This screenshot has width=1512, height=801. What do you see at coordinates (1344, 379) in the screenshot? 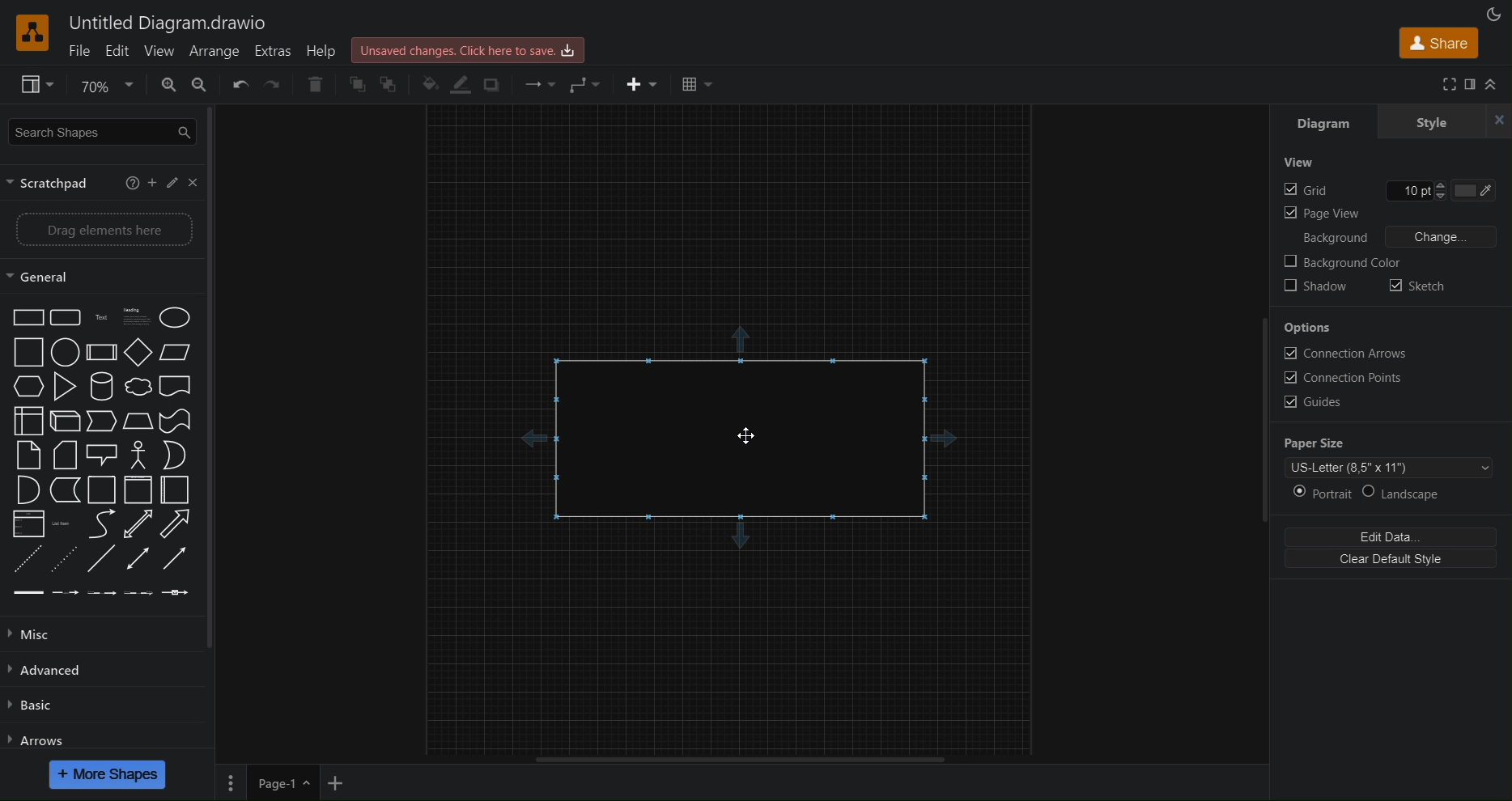
I see `Connection Points` at bounding box center [1344, 379].